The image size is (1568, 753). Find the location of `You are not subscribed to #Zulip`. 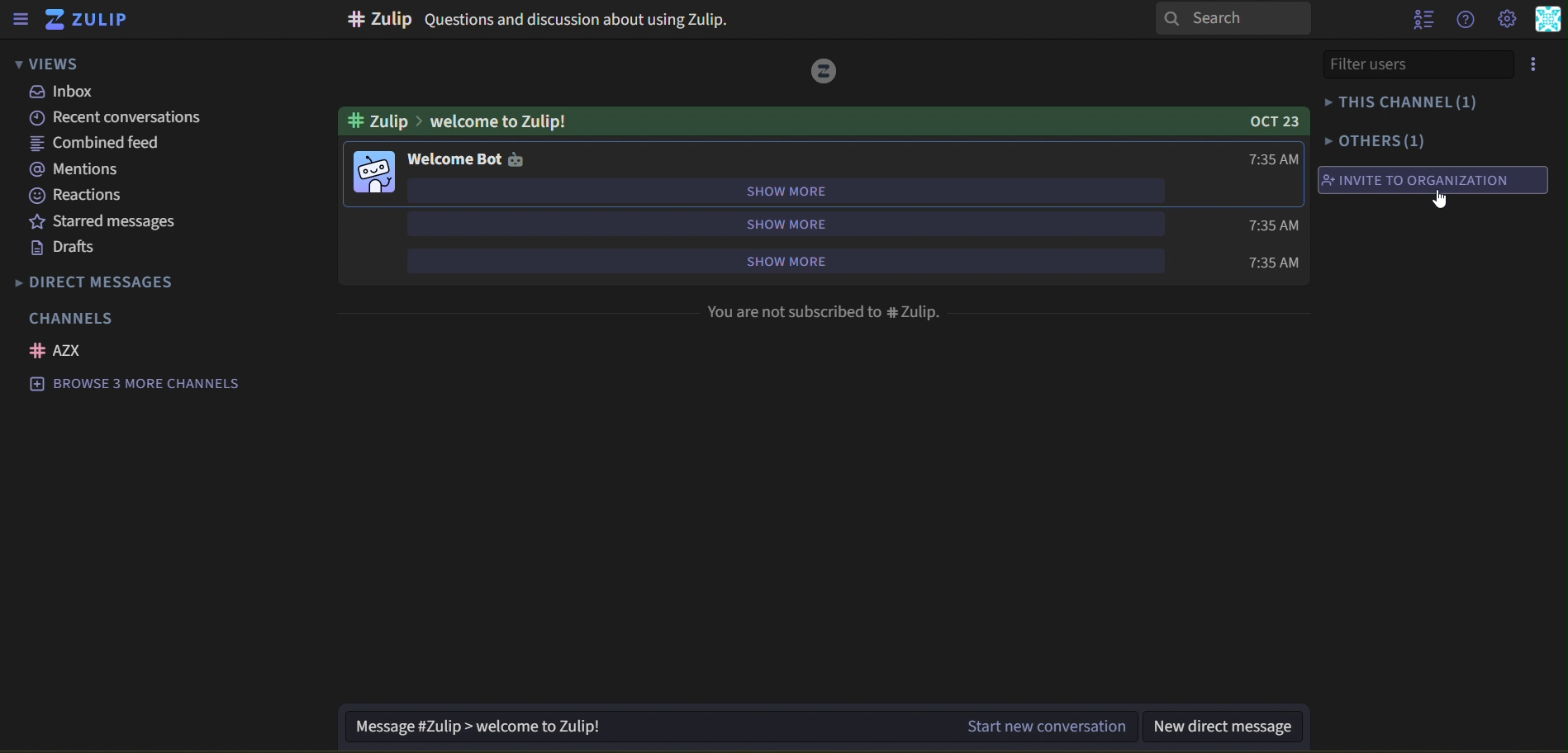

You are not subscribed to #Zulip is located at coordinates (825, 314).